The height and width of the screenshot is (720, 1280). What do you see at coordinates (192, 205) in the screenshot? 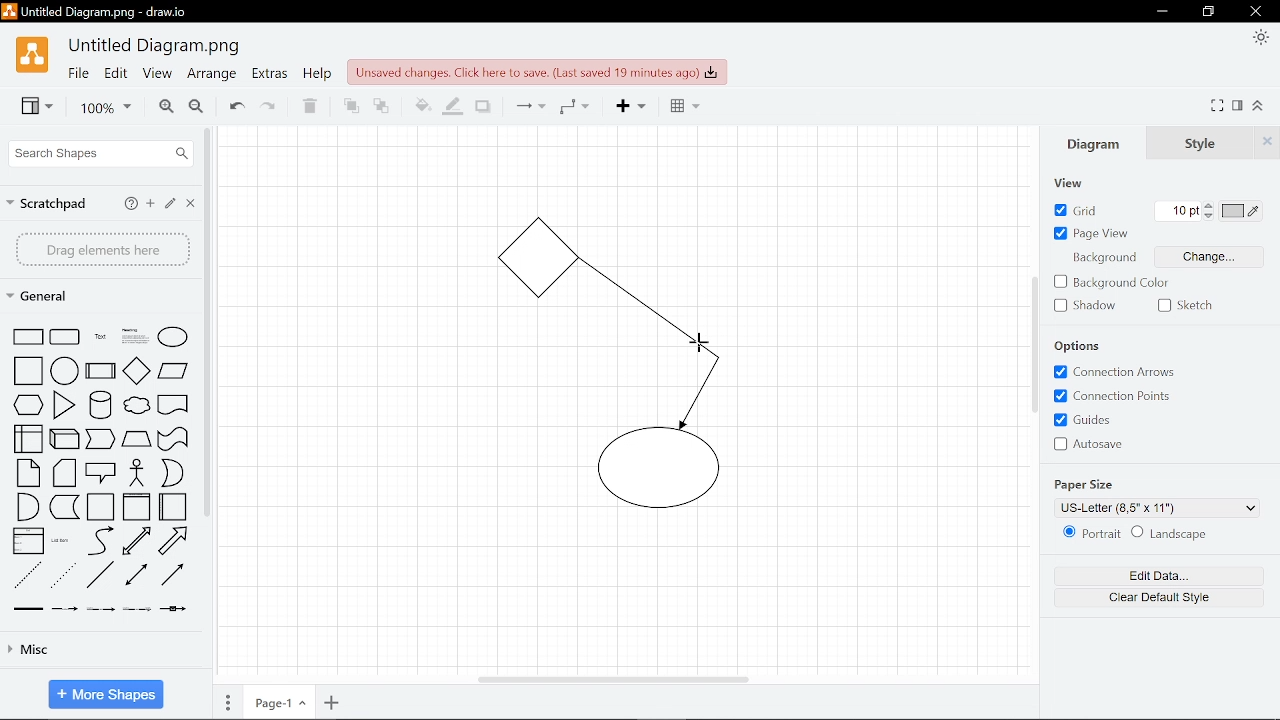
I see `Close` at bounding box center [192, 205].